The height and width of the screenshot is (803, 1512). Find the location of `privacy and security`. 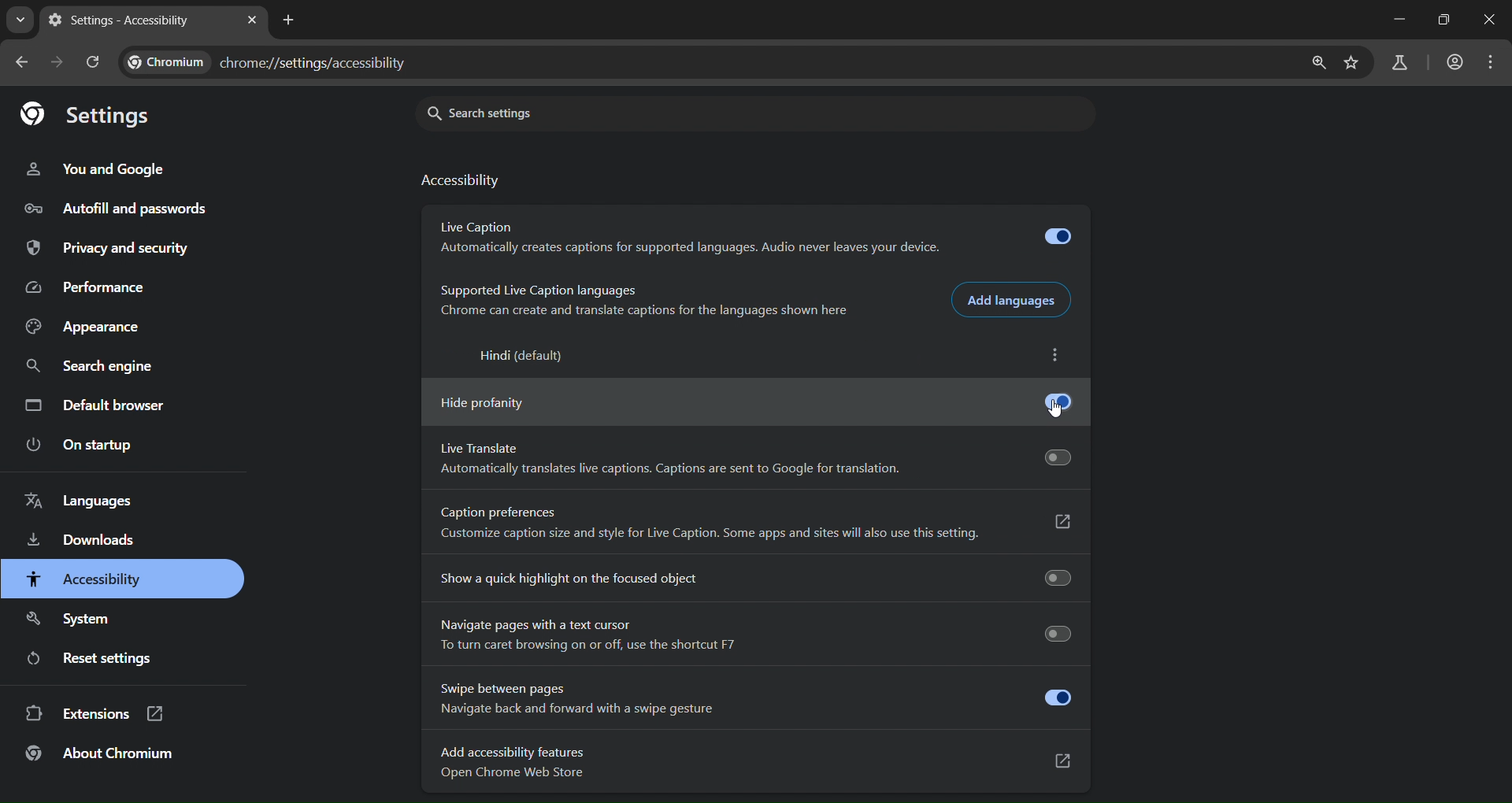

privacy and security is located at coordinates (109, 248).